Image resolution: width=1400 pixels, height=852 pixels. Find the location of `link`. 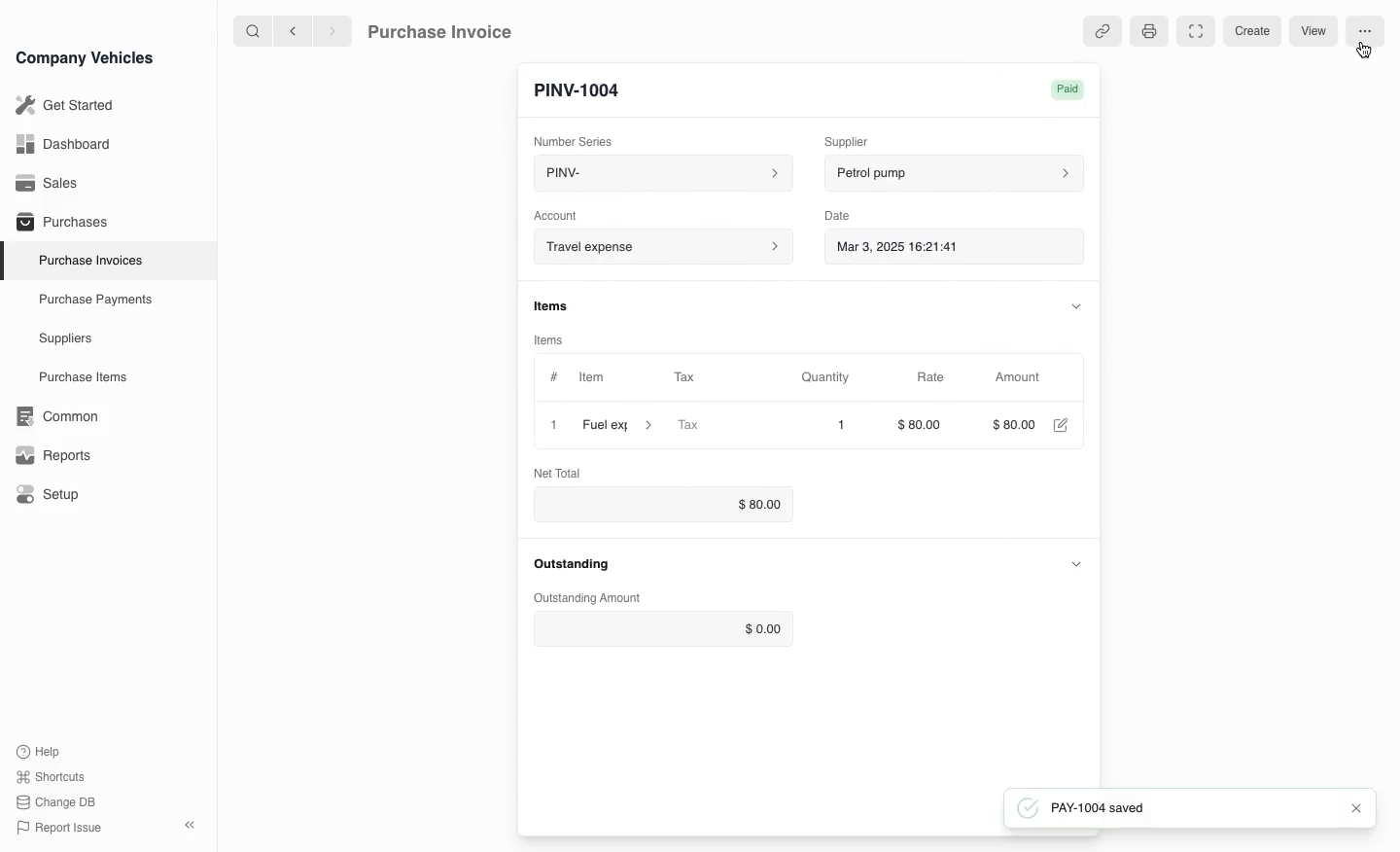

link is located at coordinates (1099, 32).